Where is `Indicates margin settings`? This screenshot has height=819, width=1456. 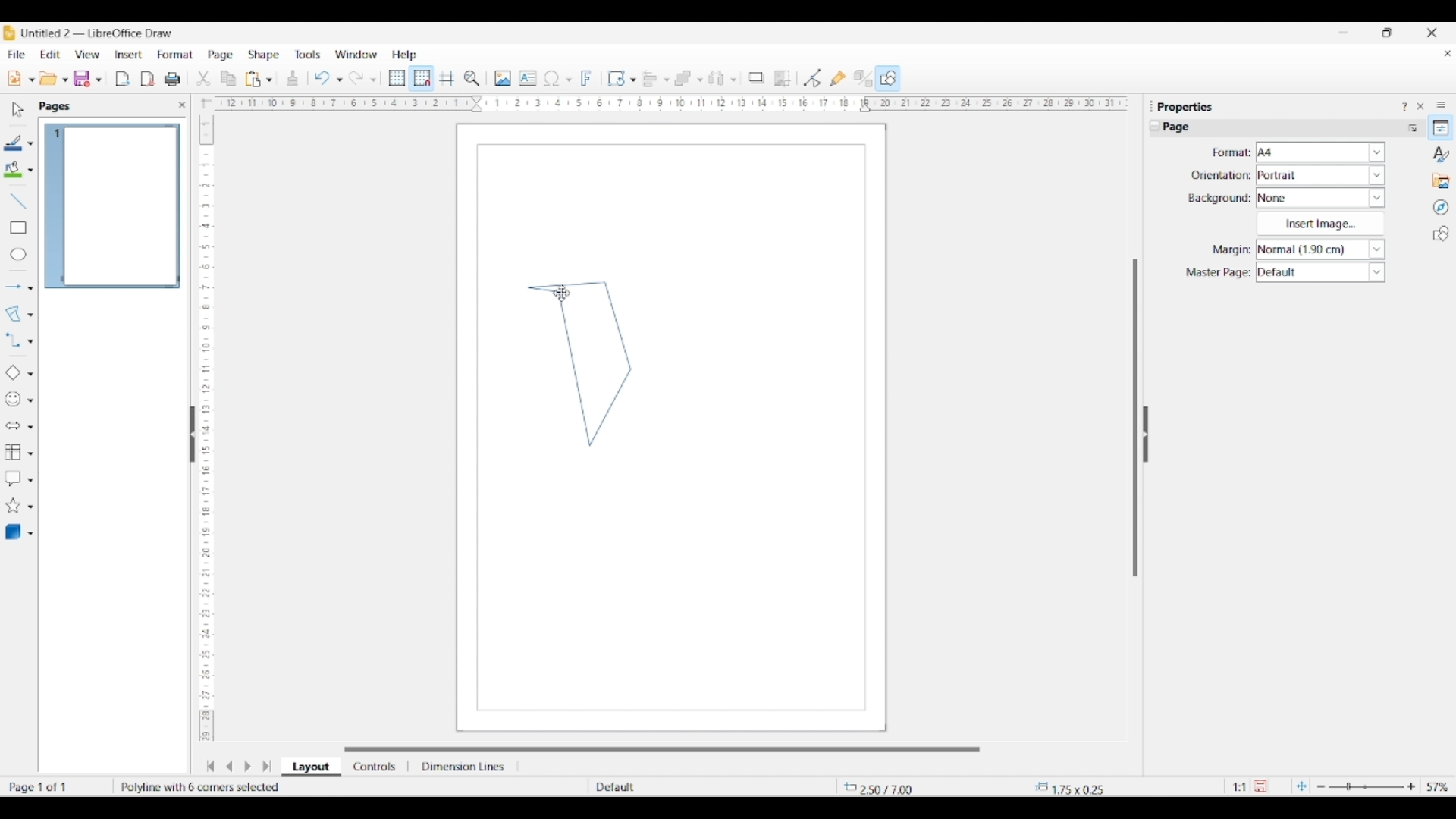 Indicates margin settings is located at coordinates (1229, 250).